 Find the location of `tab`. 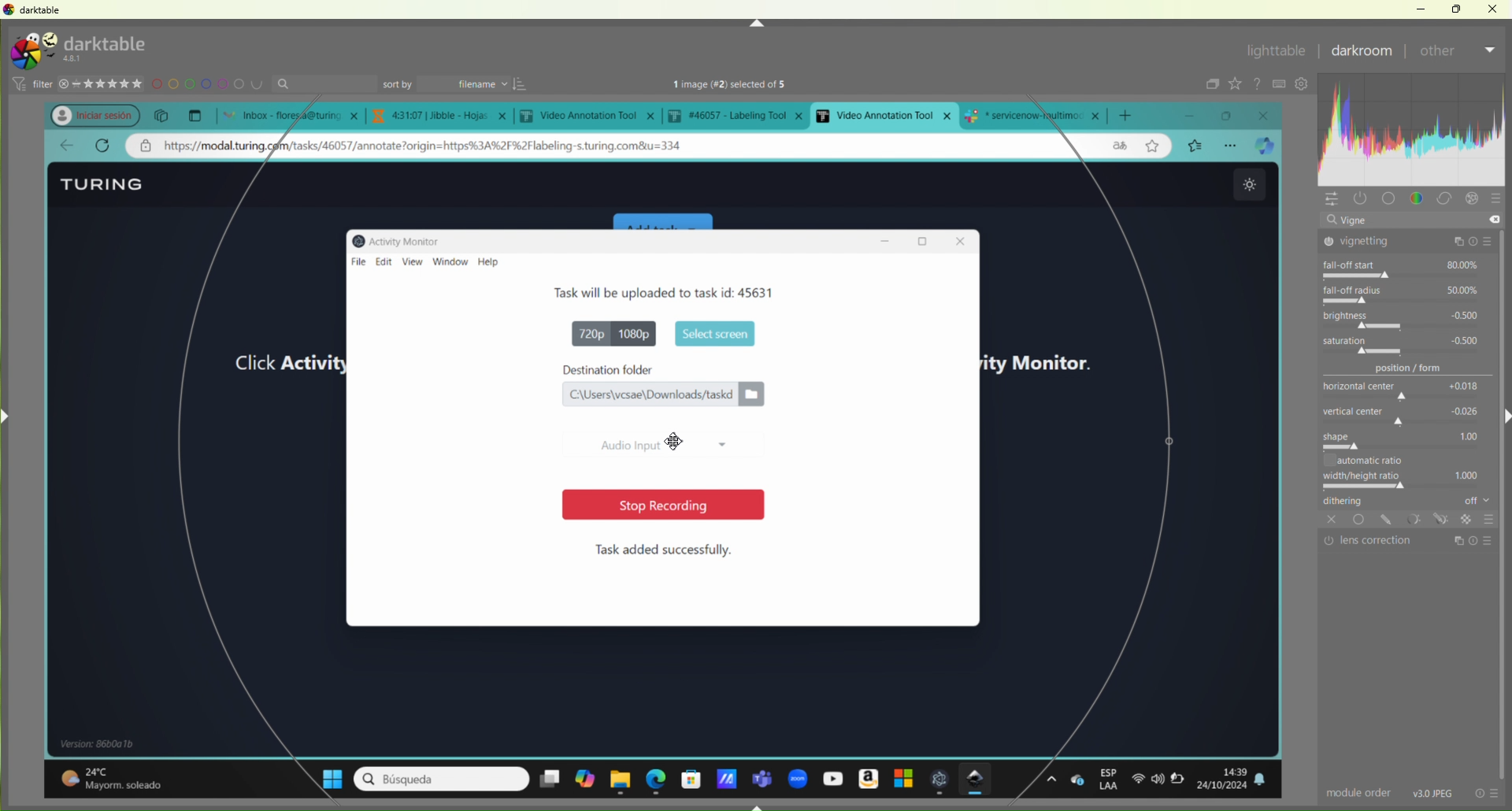

tab is located at coordinates (443, 116).